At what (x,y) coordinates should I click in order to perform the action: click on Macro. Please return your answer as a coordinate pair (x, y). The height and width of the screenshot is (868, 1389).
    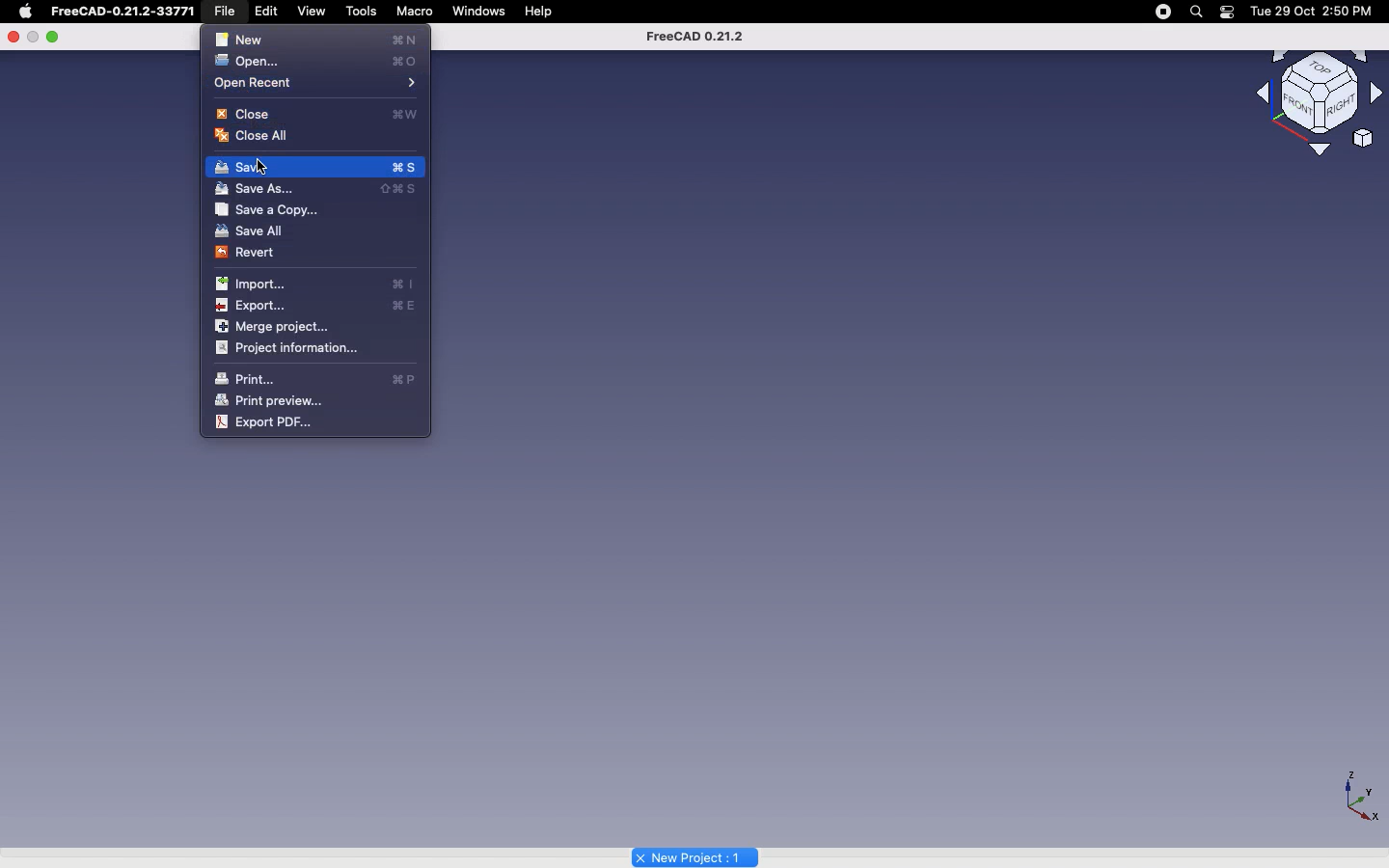
    Looking at the image, I should click on (416, 11).